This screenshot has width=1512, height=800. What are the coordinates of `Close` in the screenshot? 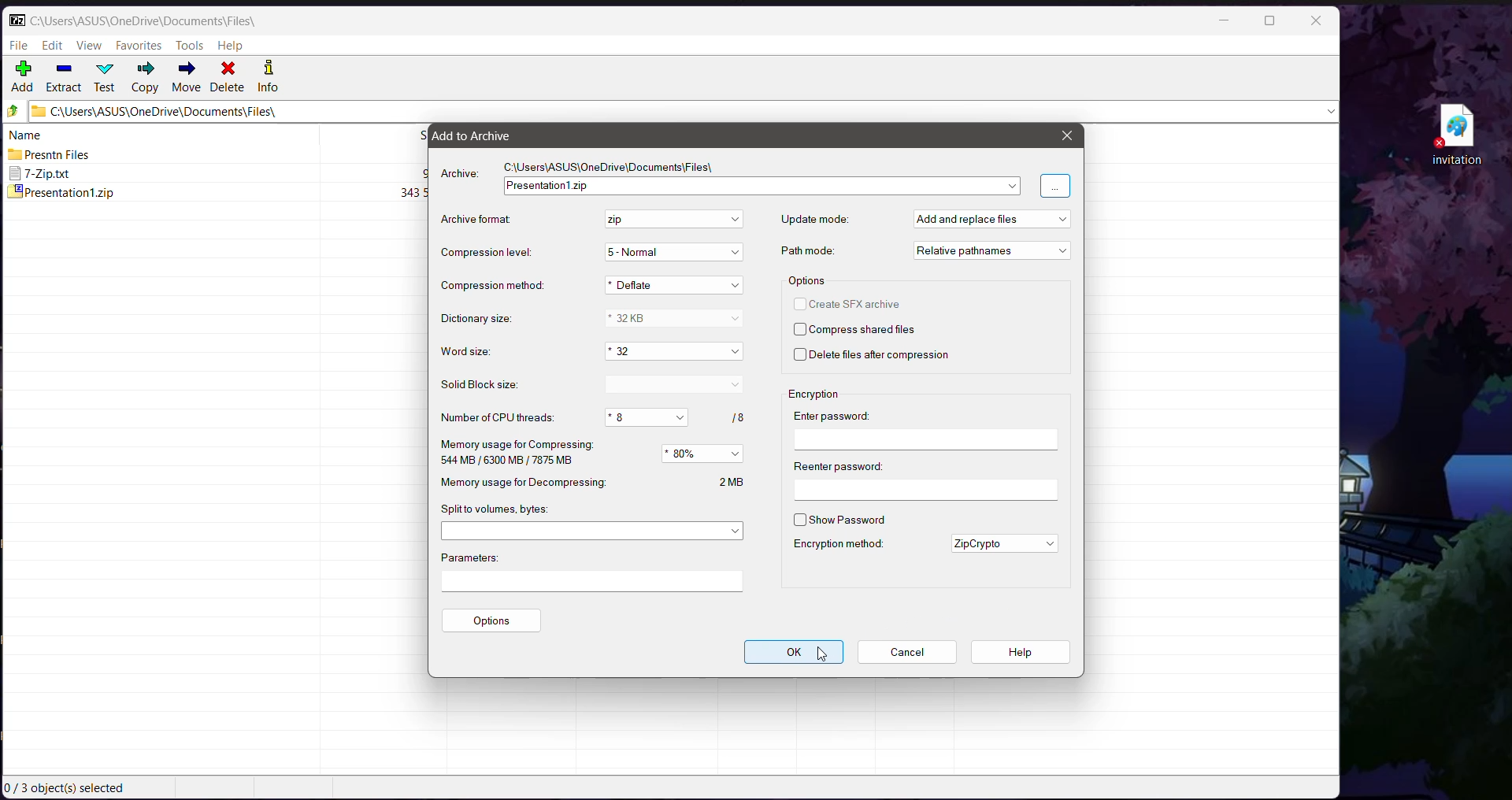 It's located at (1065, 135).